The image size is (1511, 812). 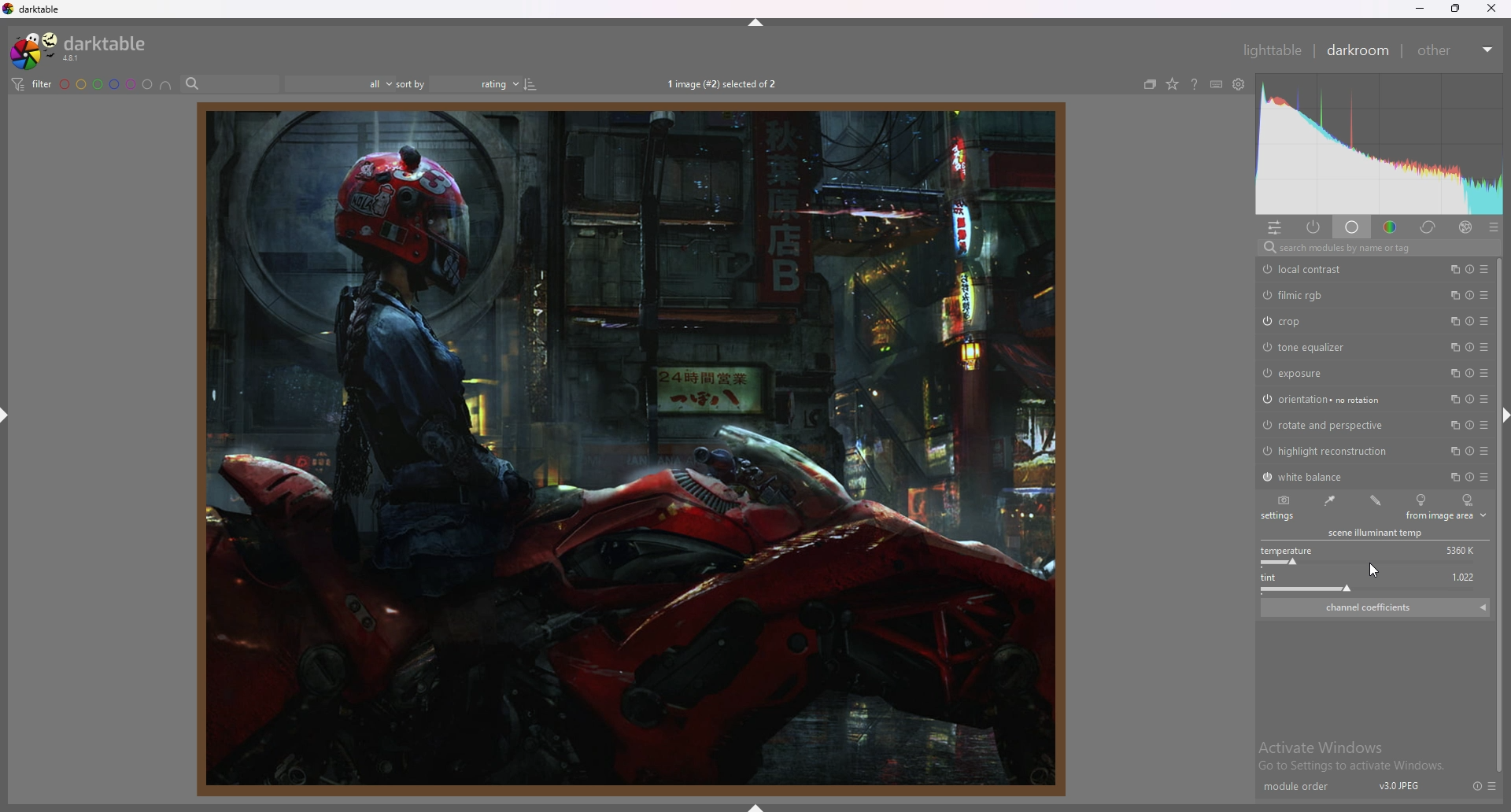 I want to click on resize, so click(x=1454, y=9).